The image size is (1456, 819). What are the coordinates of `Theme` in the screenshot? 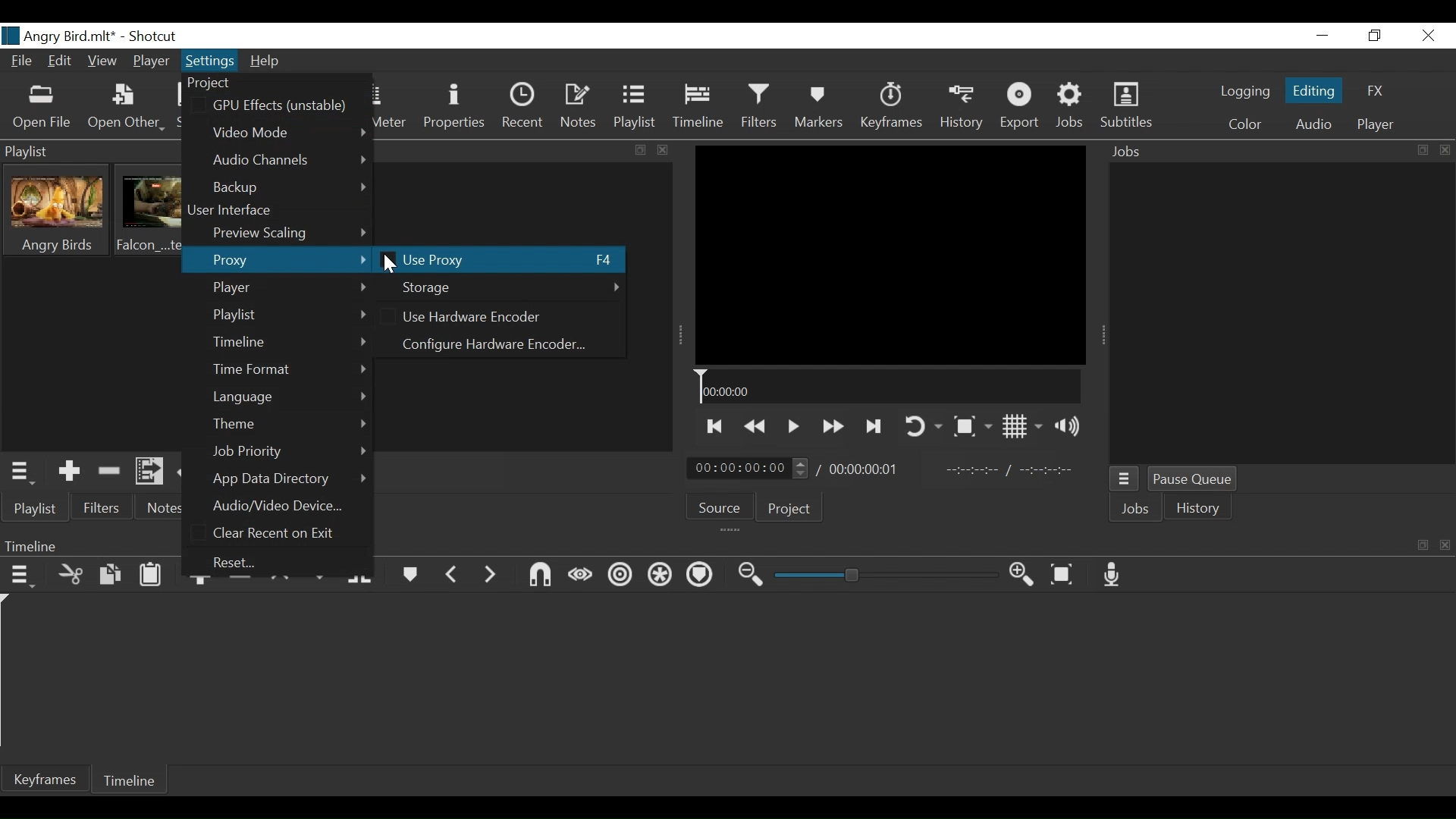 It's located at (290, 424).